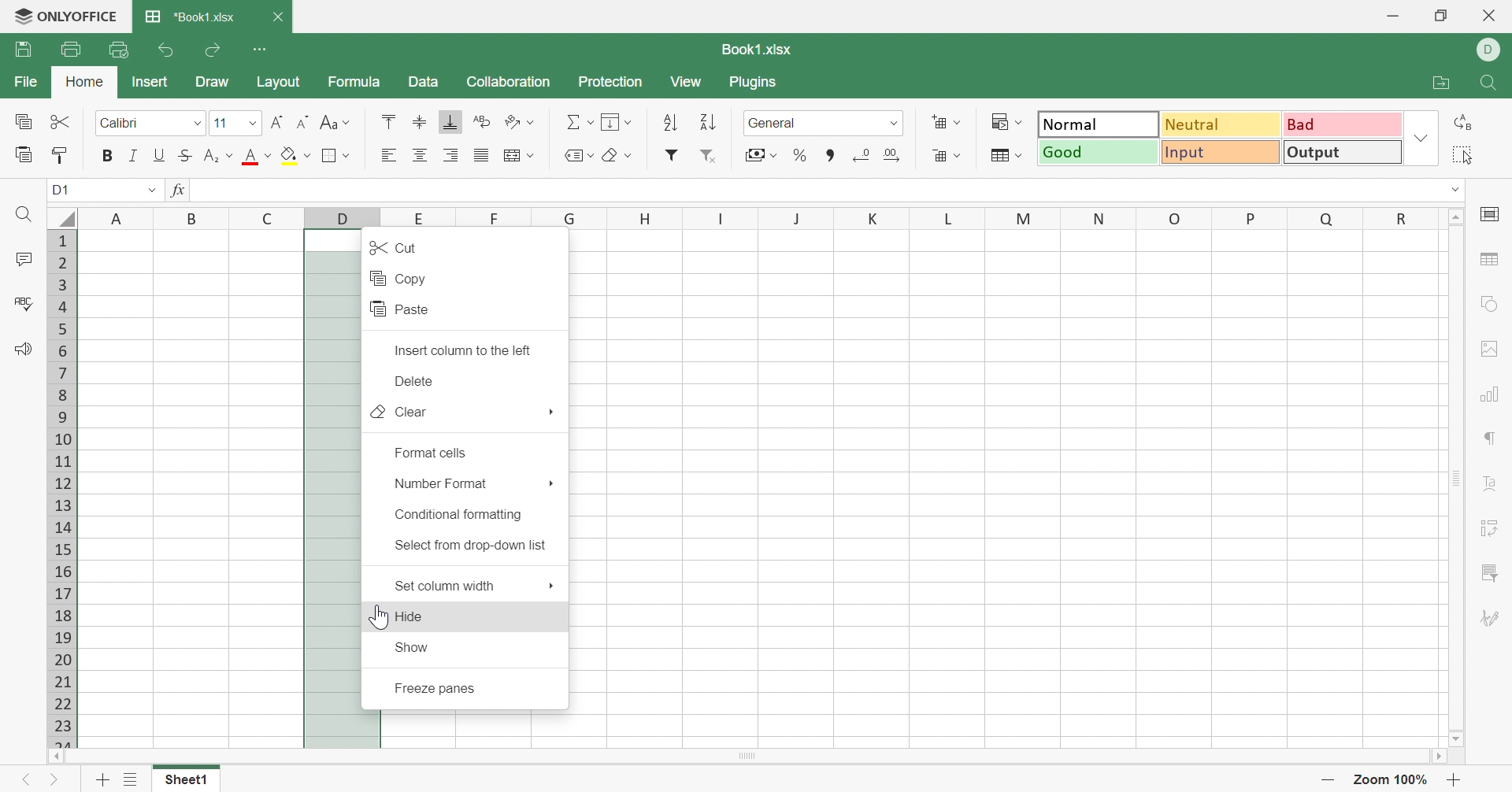 This screenshot has width=1512, height=792. I want to click on Show, so click(412, 646).